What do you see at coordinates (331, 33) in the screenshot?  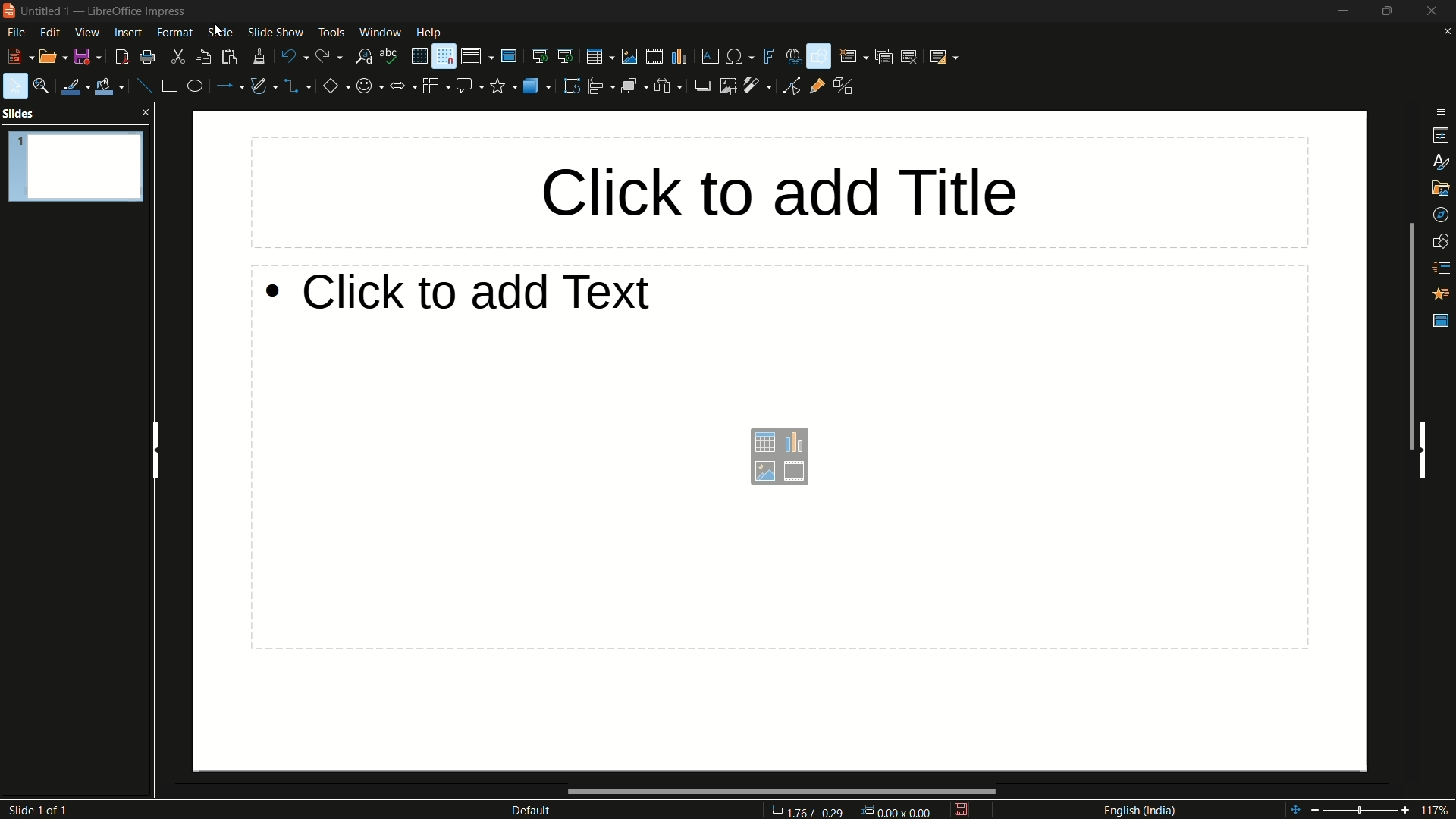 I see `tools menu` at bounding box center [331, 33].